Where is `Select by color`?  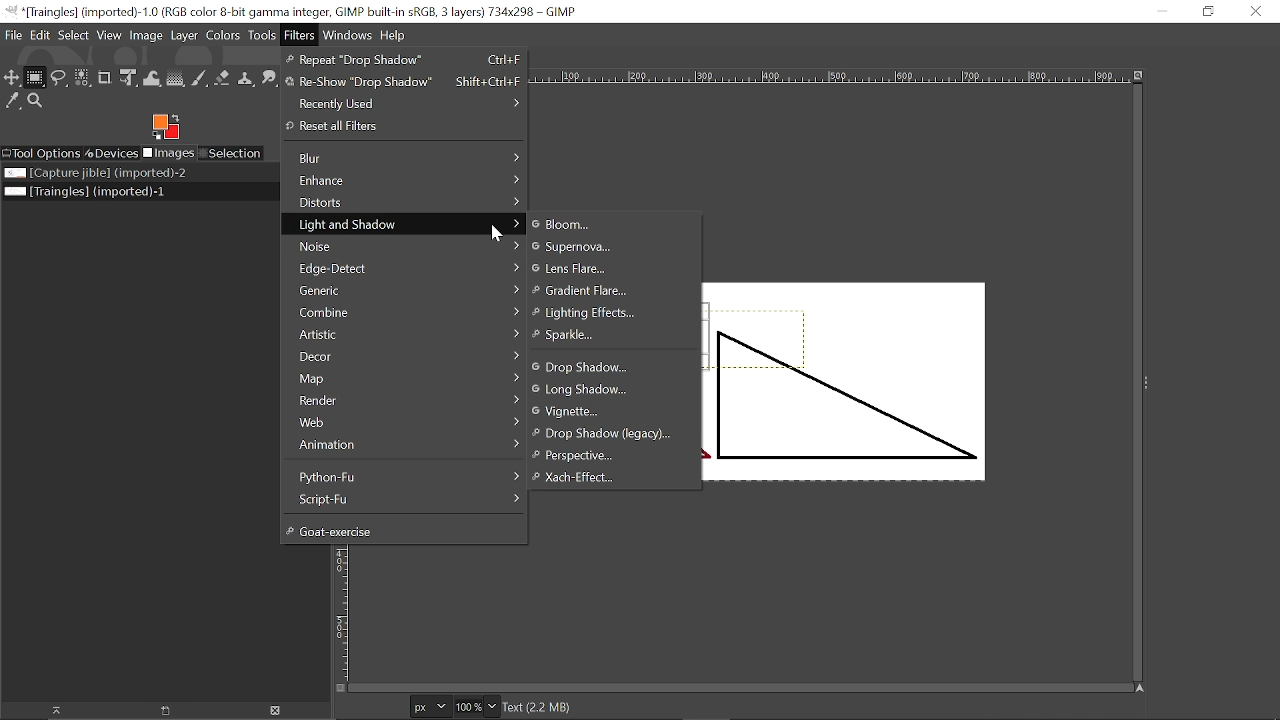 Select by color is located at coordinates (83, 79).